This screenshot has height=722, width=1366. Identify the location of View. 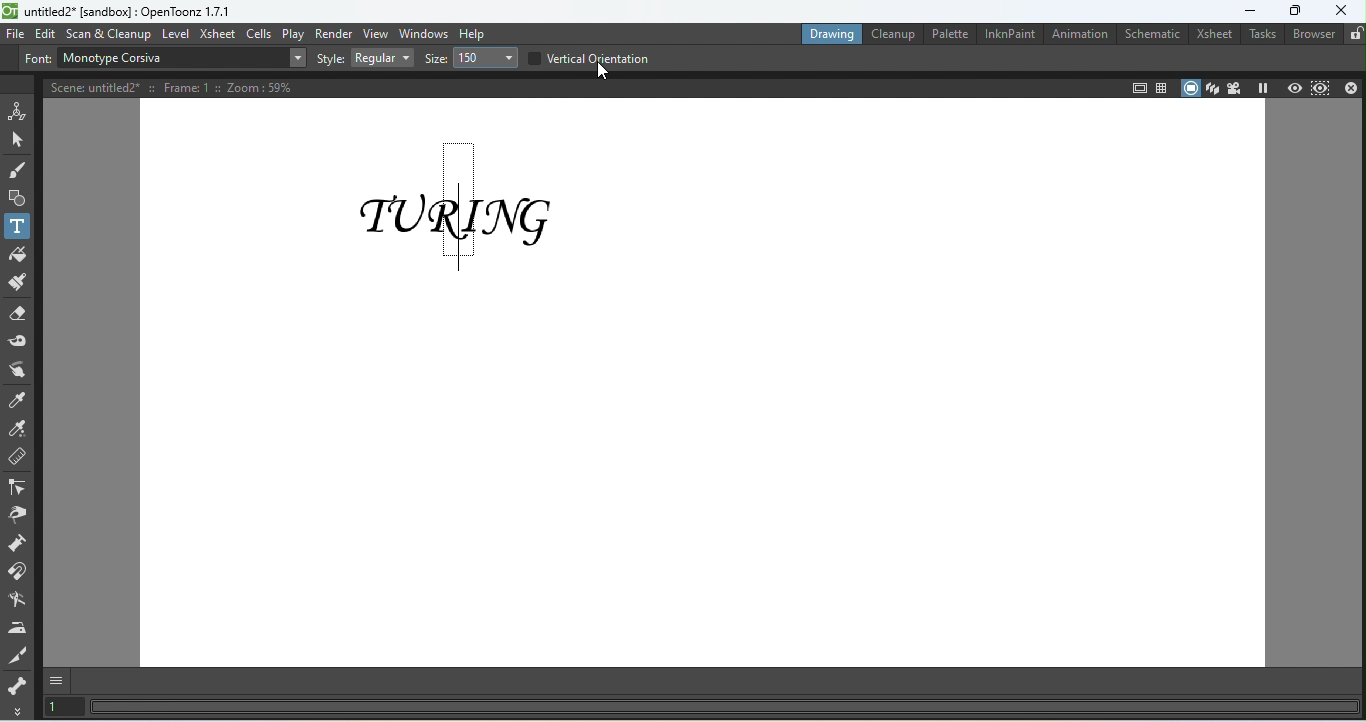
(375, 33).